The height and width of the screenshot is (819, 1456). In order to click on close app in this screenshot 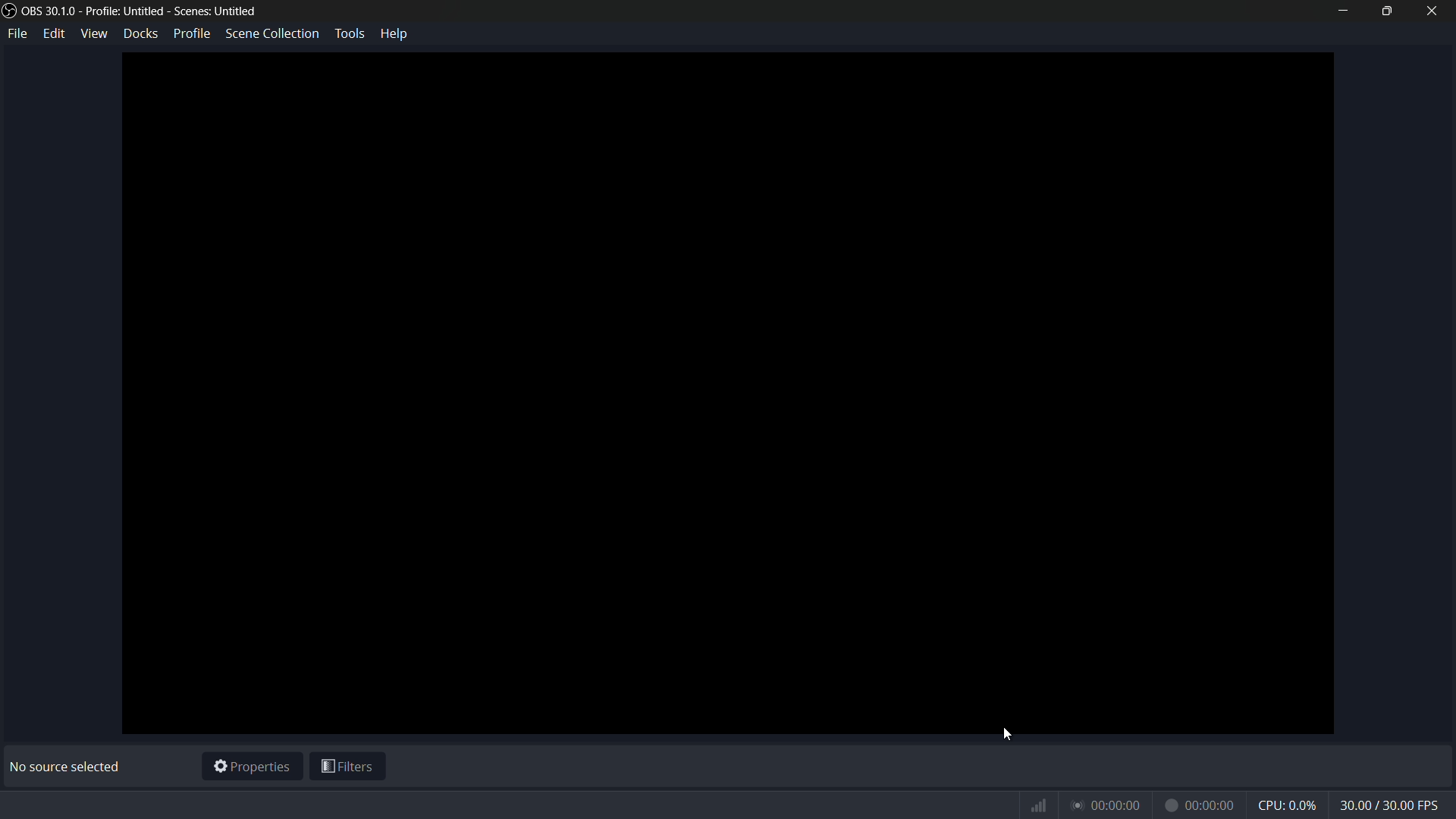, I will do `click(1432, 11)`.